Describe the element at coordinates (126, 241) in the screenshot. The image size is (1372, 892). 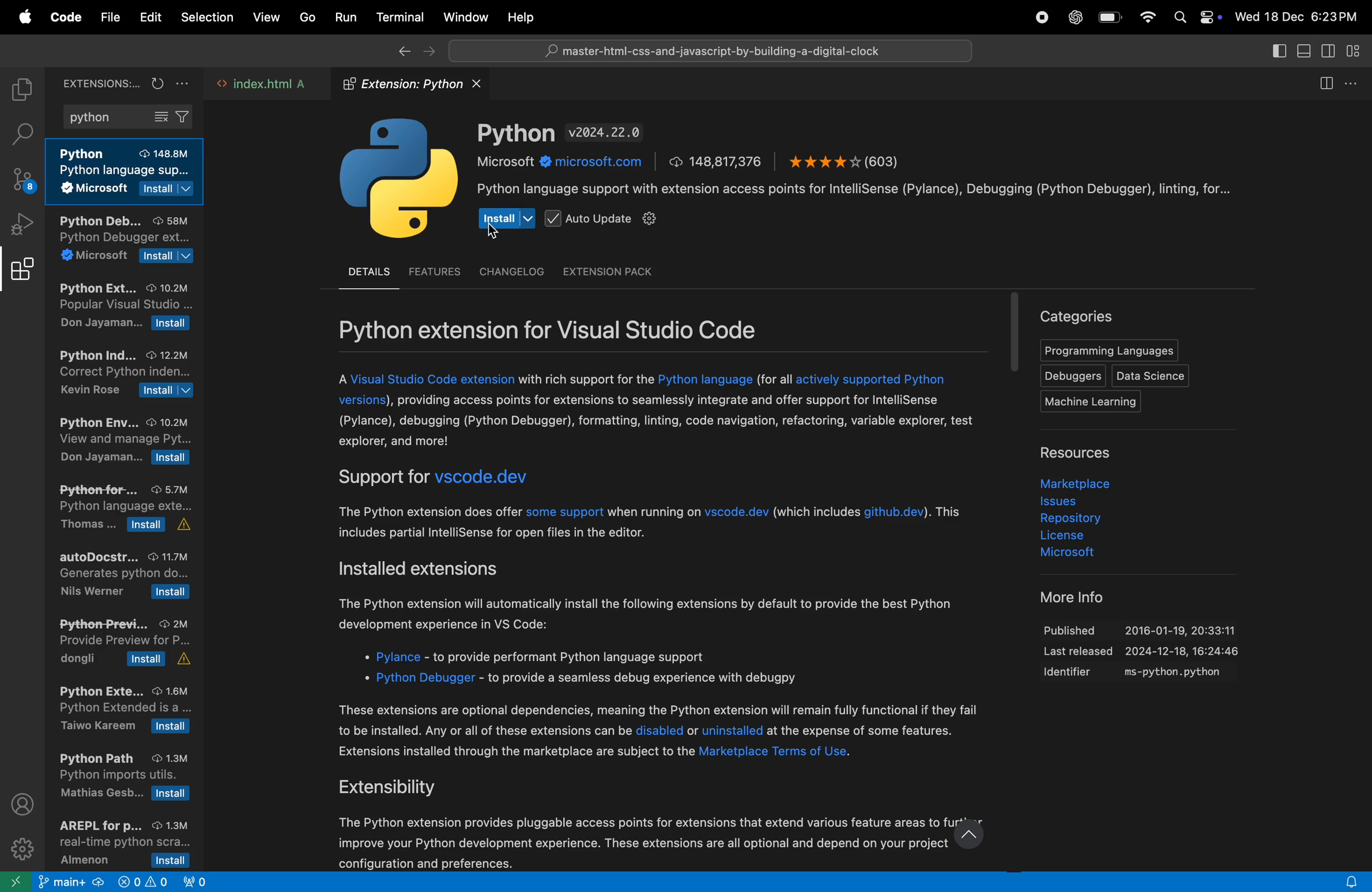
I see `python development` at that location.